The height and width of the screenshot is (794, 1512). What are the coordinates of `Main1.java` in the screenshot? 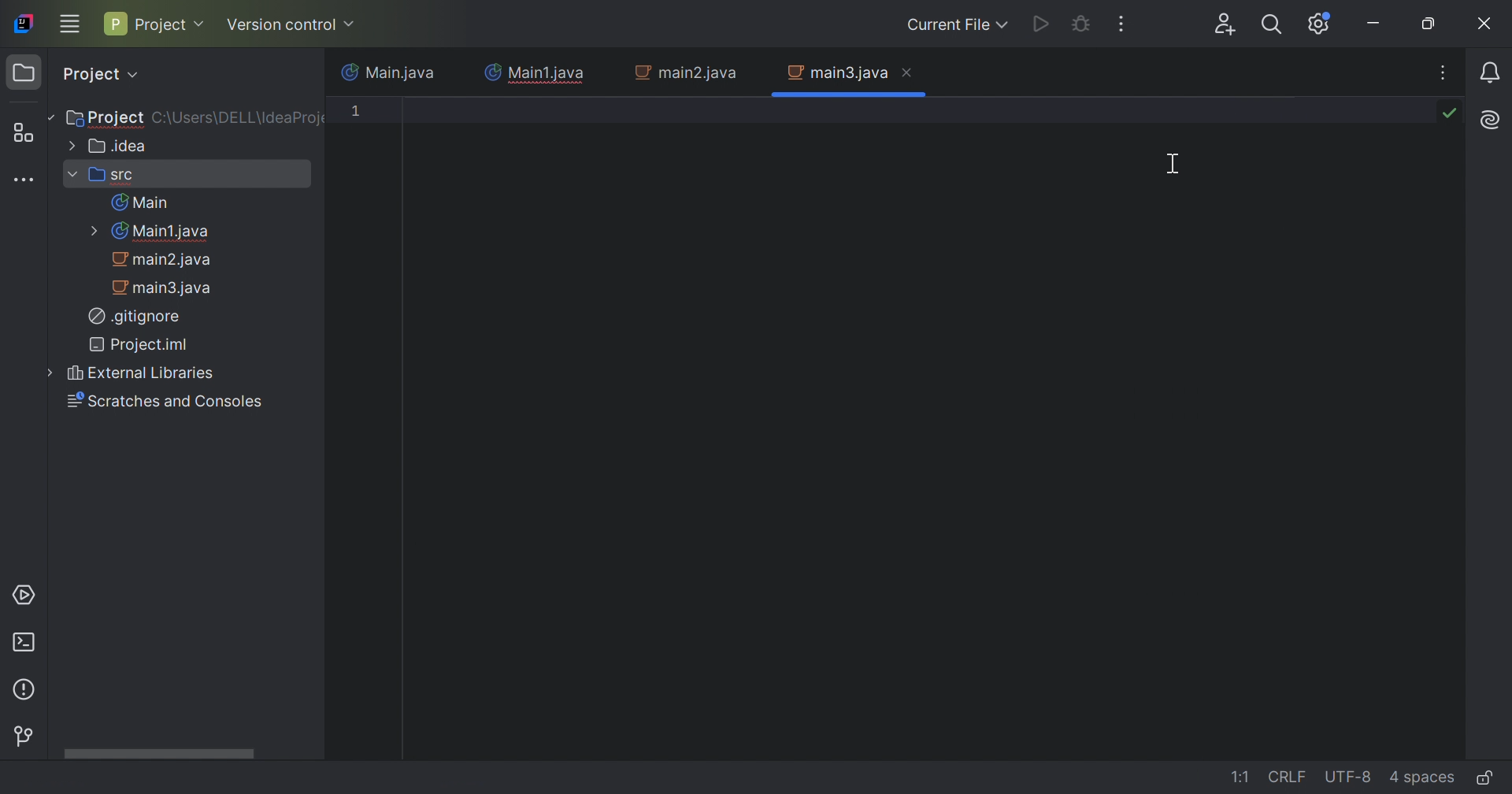 It's located at (535, 72).